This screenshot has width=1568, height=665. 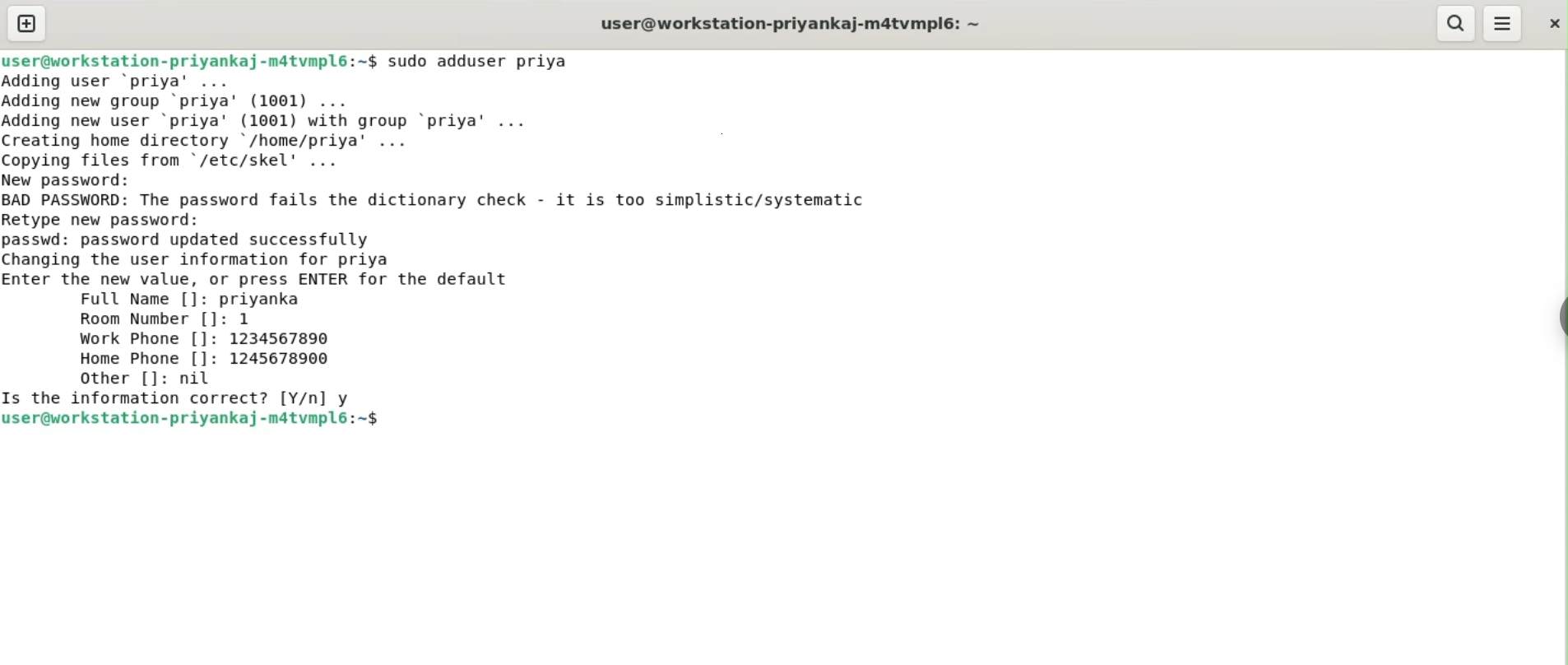 What do you see at coordinates (258, 270) in the screenshot?
I see `passwd: password updated successfullyChanging the user information for priyaEnter the new value, or press ENTER for the defaultFull Name []: priyankal ` at bounding box center [258, 270].